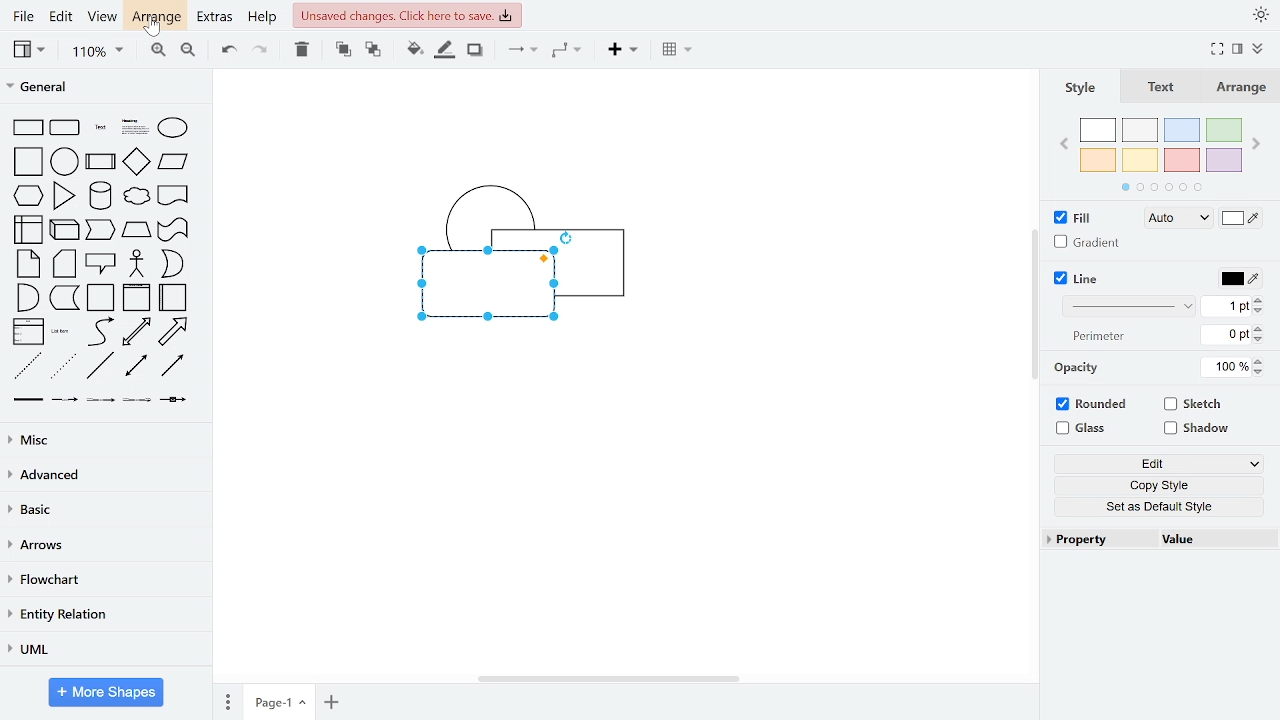 The width and height of the screenshot is (1280, 720). What do you see at coordinates (1126, 307) in the screenshot?
I see `line style` at bounding box center [1126, 307].